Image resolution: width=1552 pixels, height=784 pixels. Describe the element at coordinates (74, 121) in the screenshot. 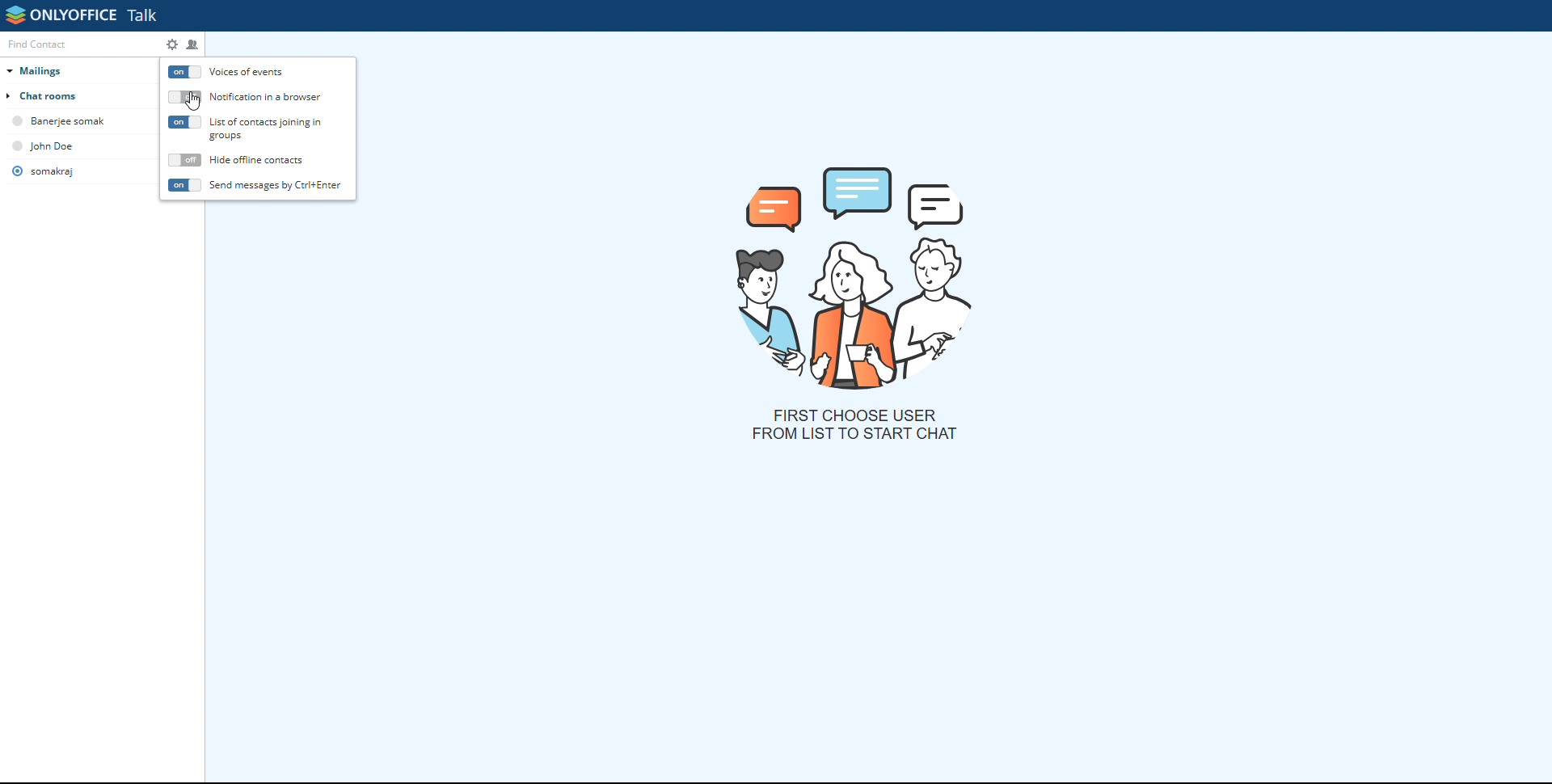

I see `banerjee somak` at that location.